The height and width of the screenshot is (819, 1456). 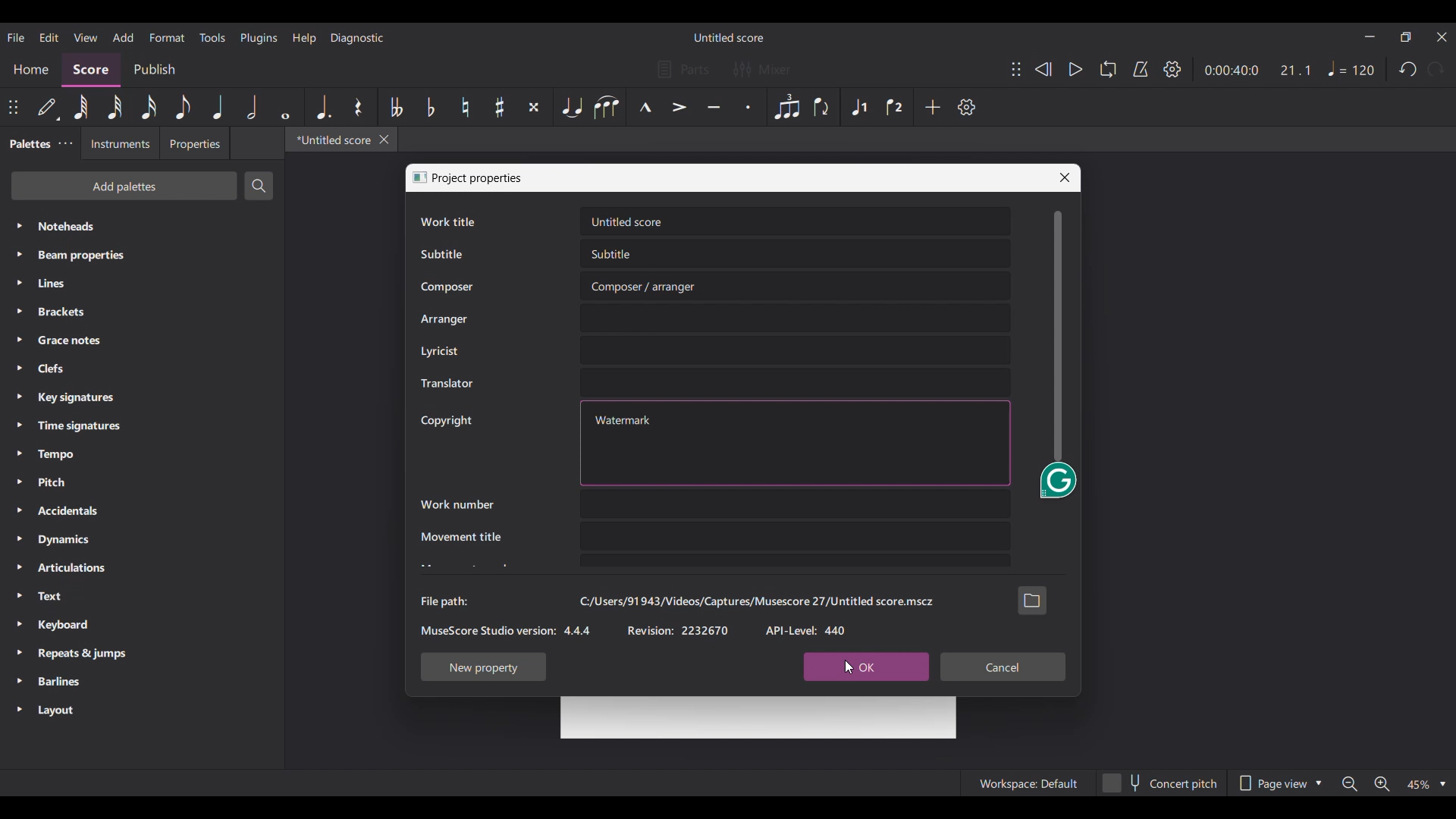 I want to click on Parts settings, so click(x=684, y=69).